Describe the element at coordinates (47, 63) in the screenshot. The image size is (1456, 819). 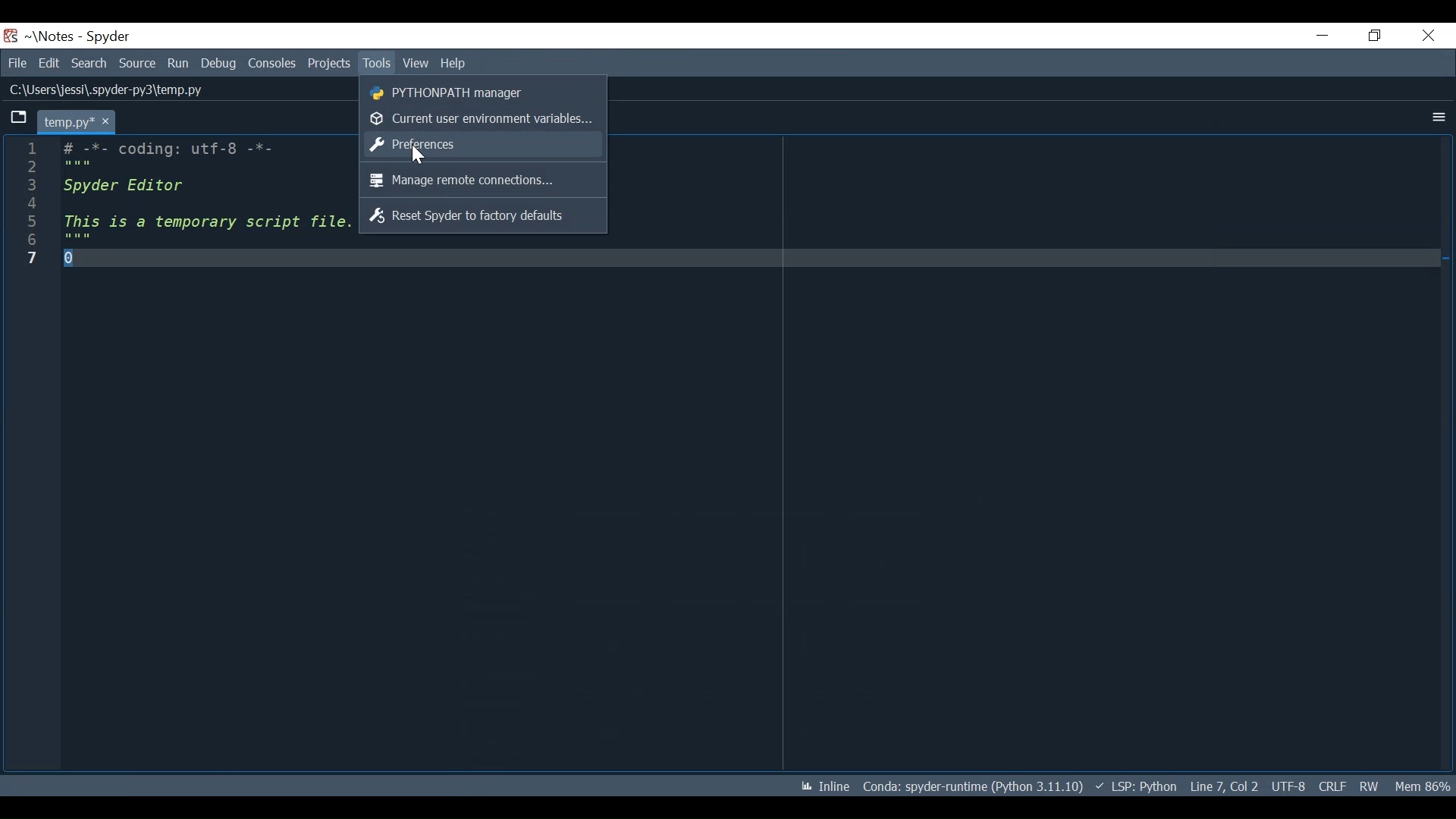
I see `Edit` at that location.